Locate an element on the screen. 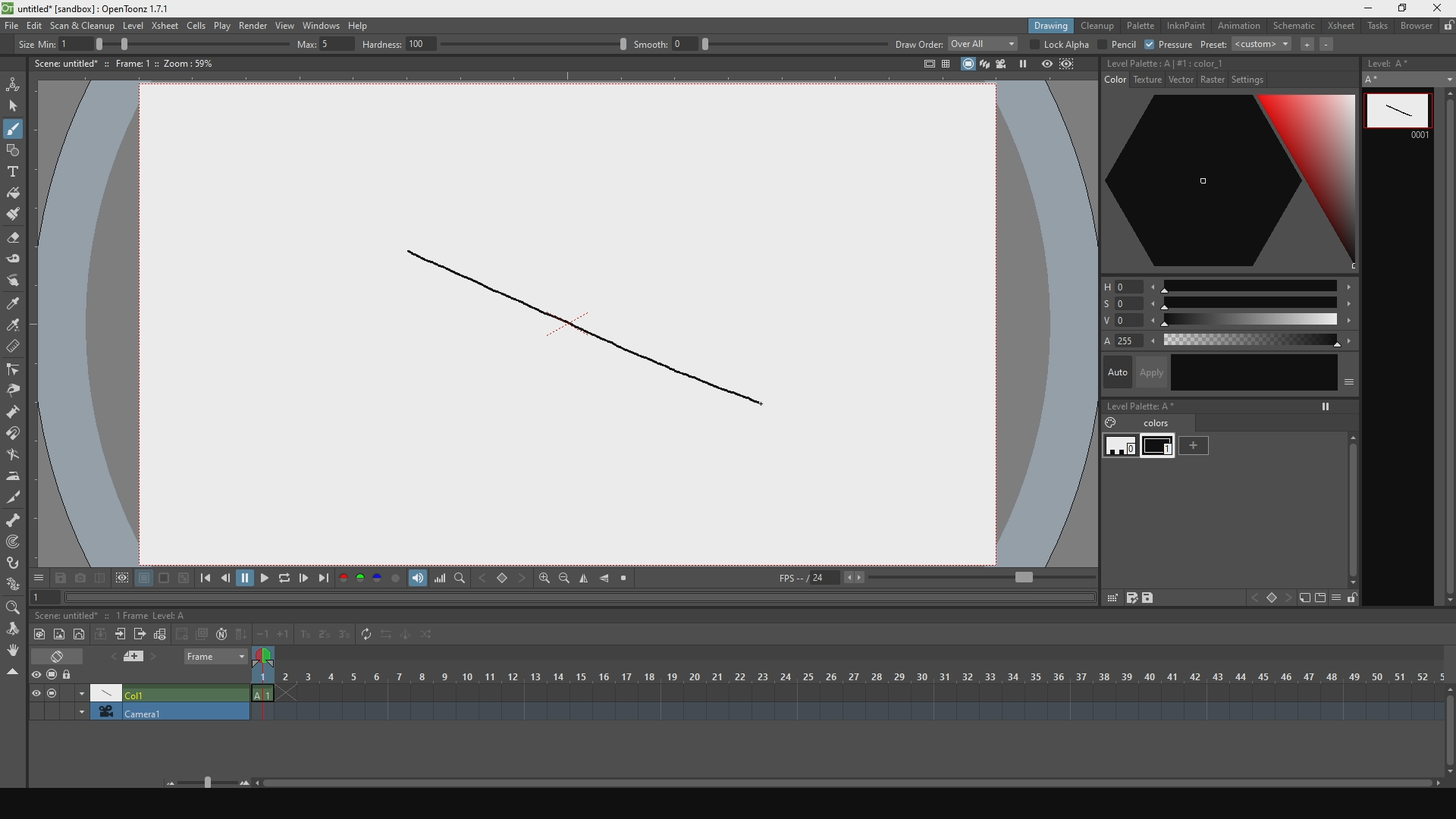 Image resolution: width=1456 pixels, height=819 pixels. inflate is located at coordinates (14, 411).